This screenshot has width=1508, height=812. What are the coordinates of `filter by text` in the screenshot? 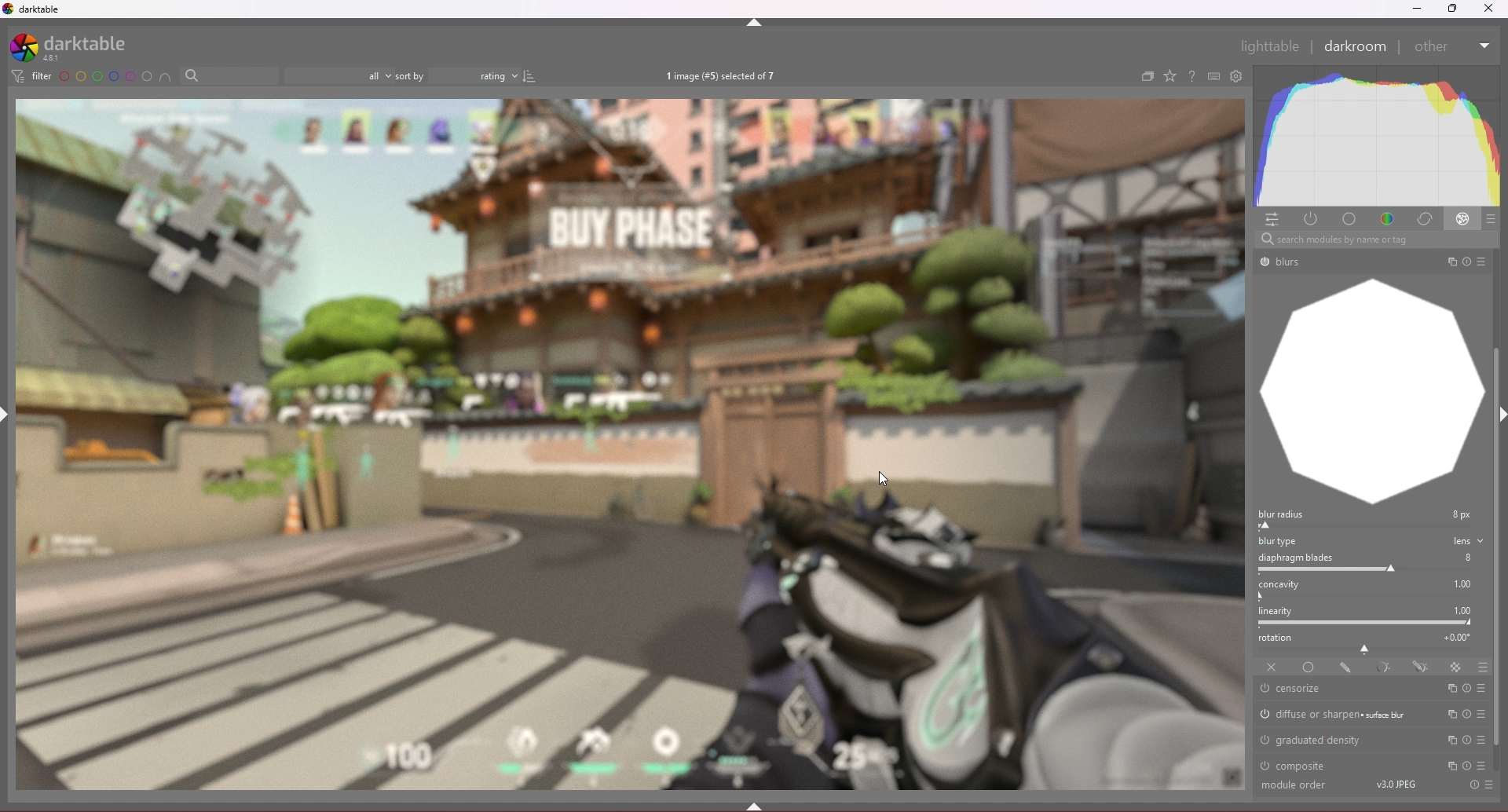 It's located at (230, 75).